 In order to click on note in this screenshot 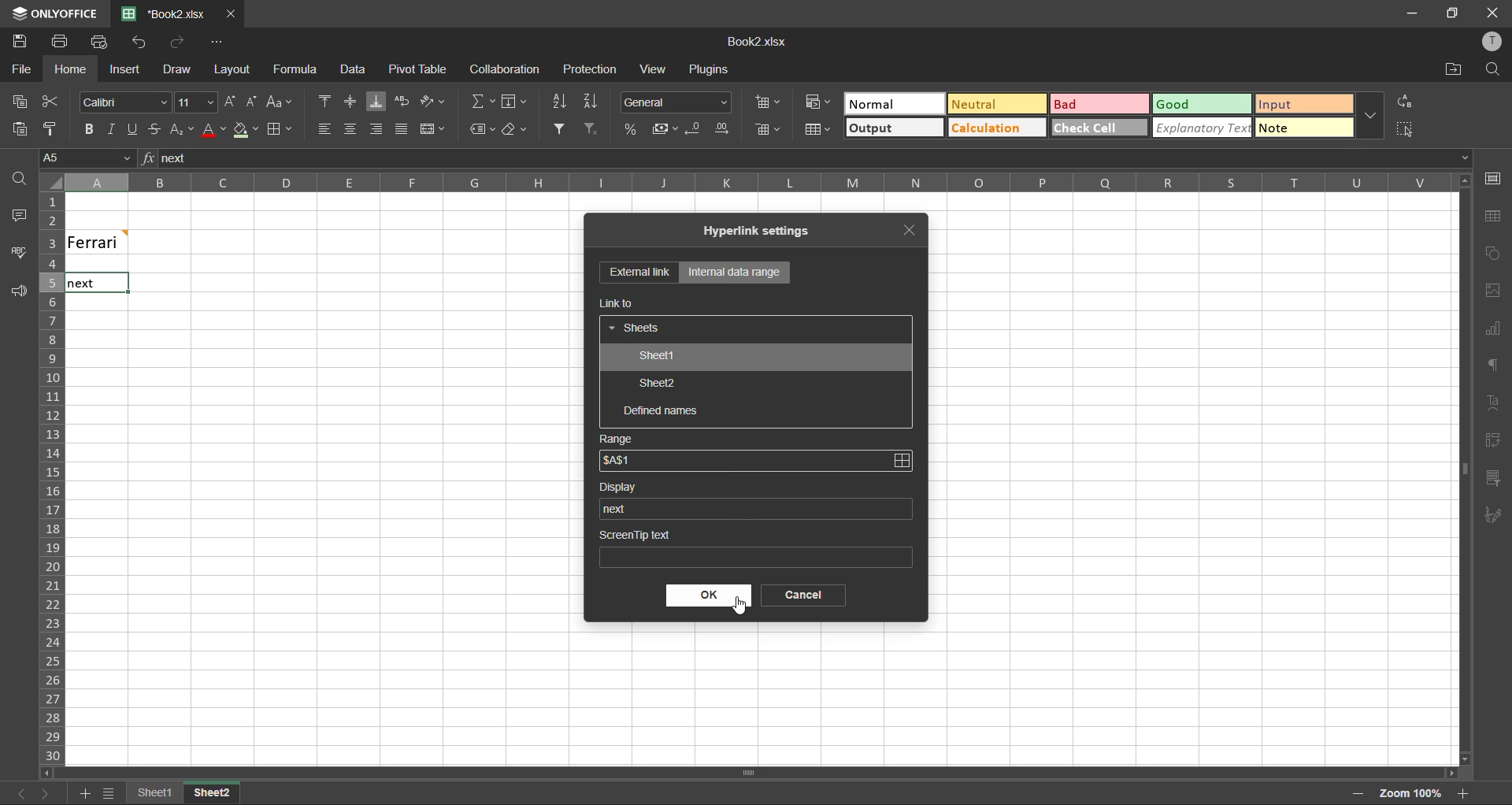, I will do `click(1304, 128)`.